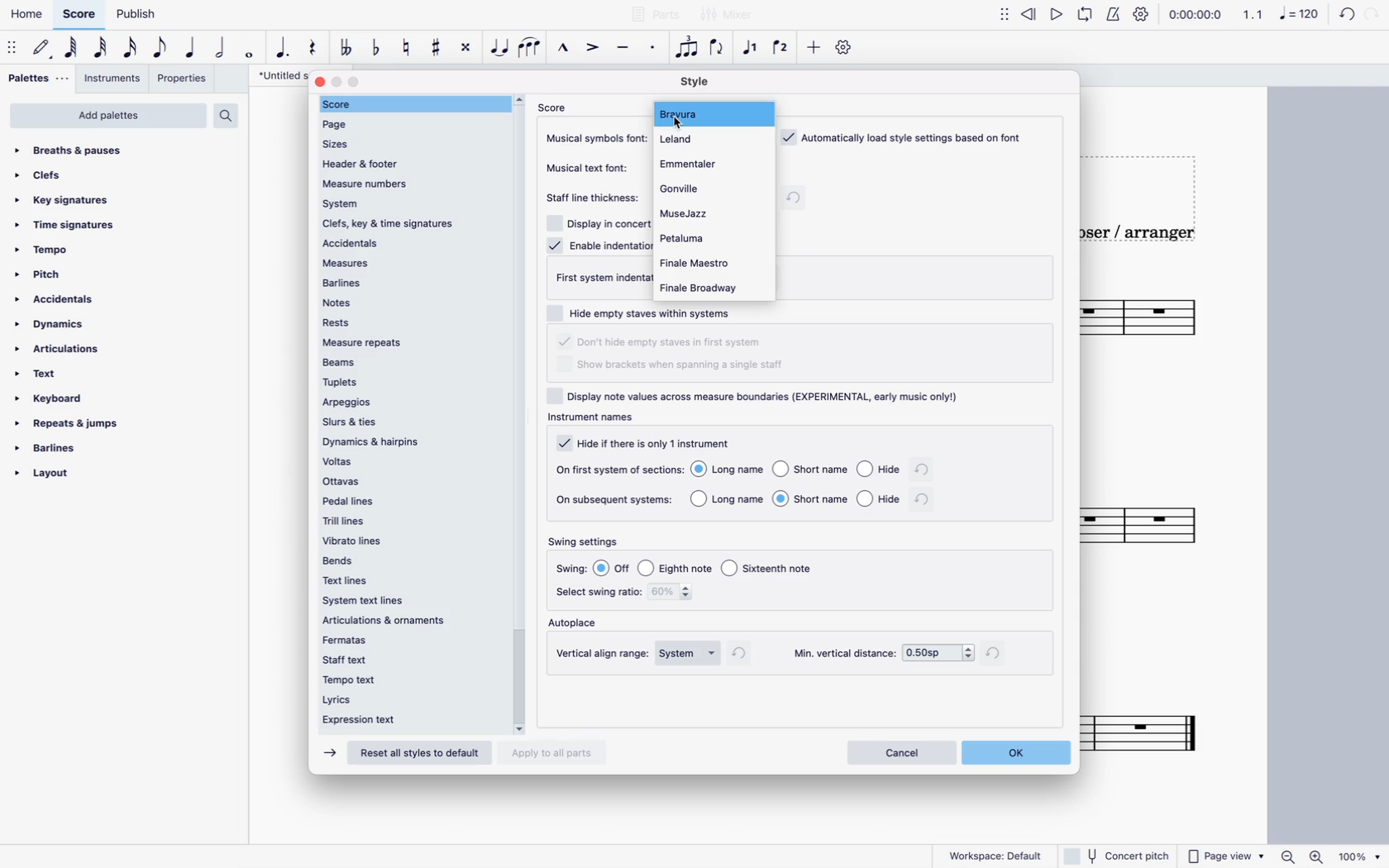 The height and width of the screenshot is (868, 1389). What do you see at coordinates (689, 51) in the screenshot?
I see `tuplet` at bounding box center [689, 51].